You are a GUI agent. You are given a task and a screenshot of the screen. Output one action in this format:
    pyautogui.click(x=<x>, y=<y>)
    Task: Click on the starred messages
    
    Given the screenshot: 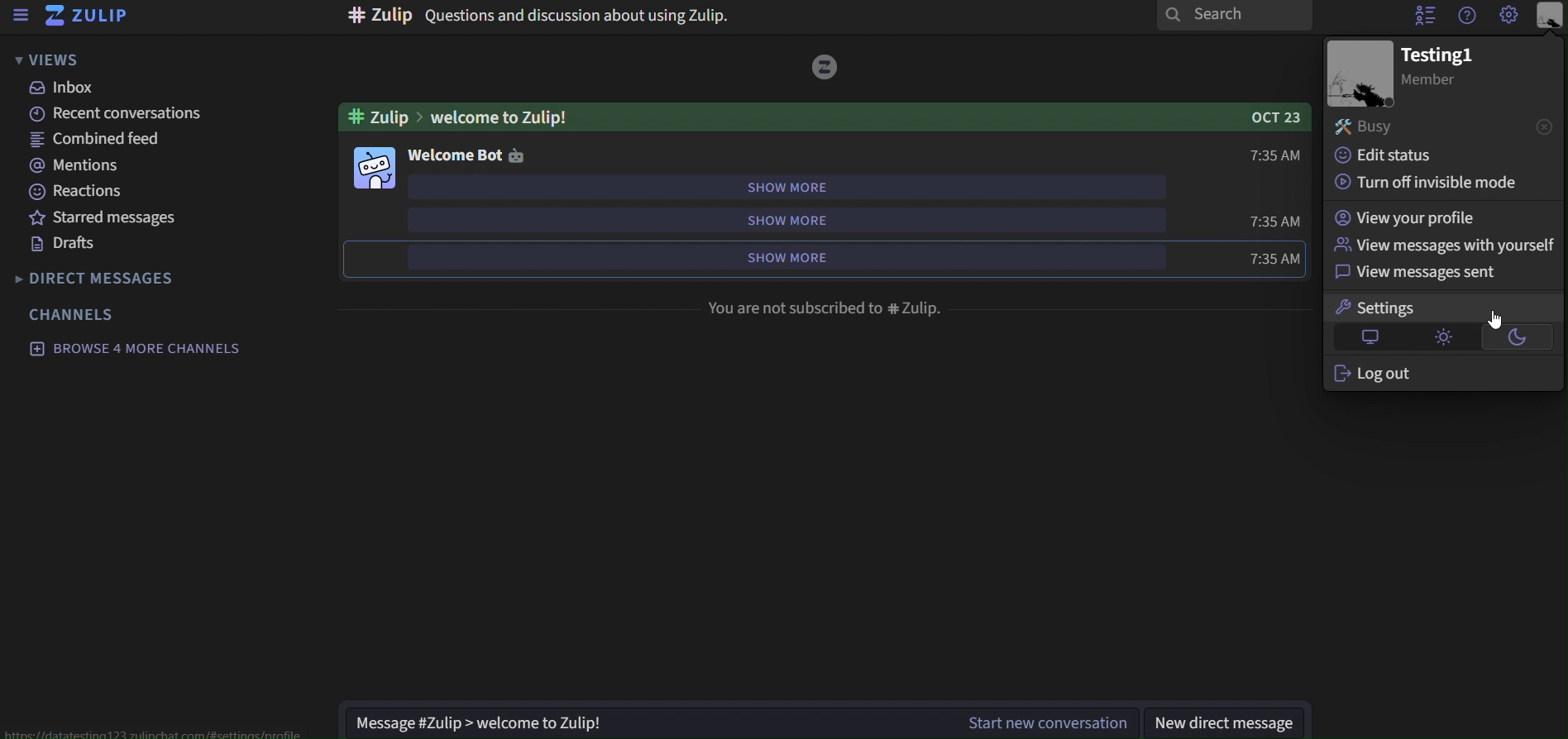 What is the action you would take?
    pyautogui.click(x=138, y=216)
    